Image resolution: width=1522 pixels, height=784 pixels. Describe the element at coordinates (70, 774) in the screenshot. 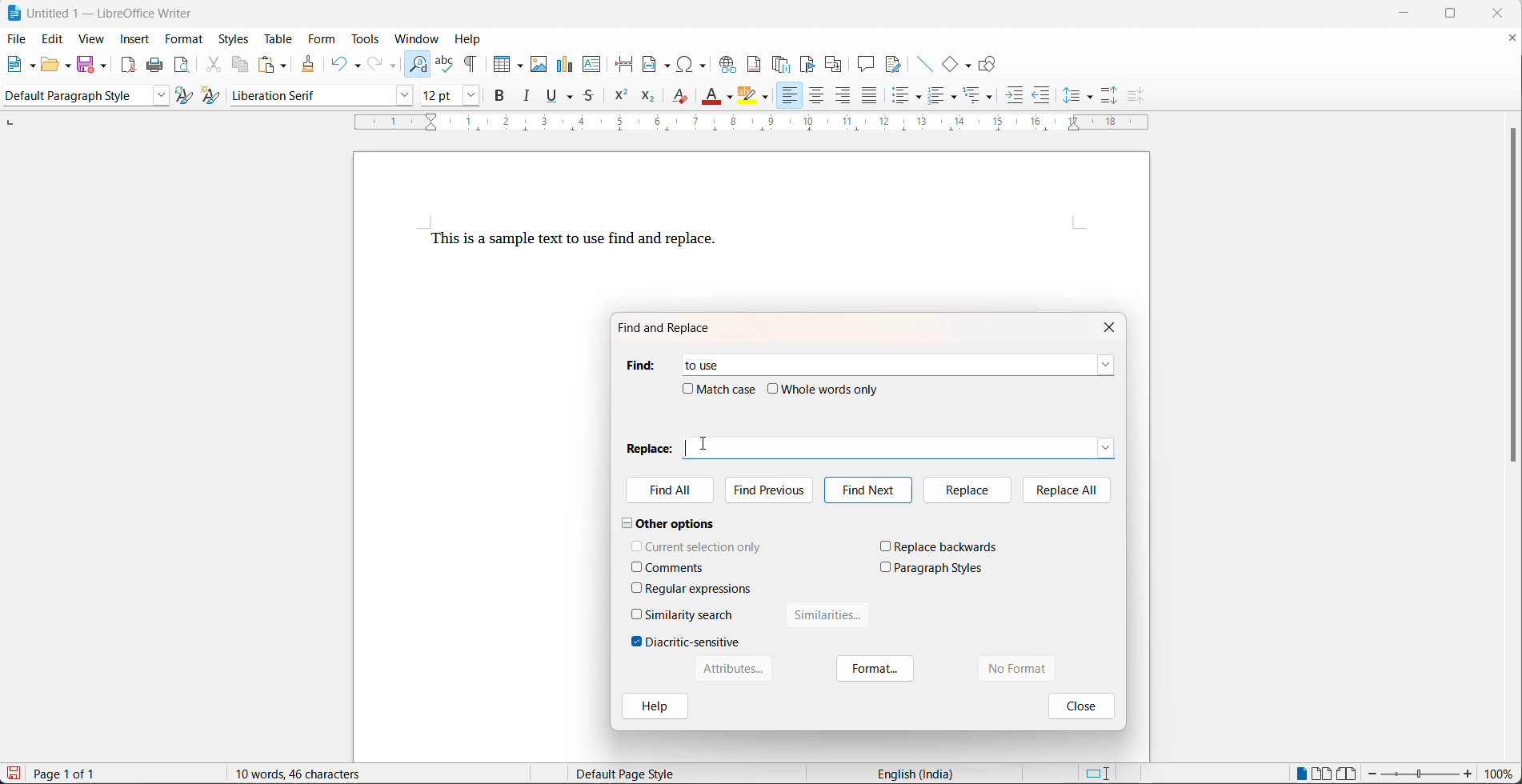

I see `Page 1 of 1` at that location.